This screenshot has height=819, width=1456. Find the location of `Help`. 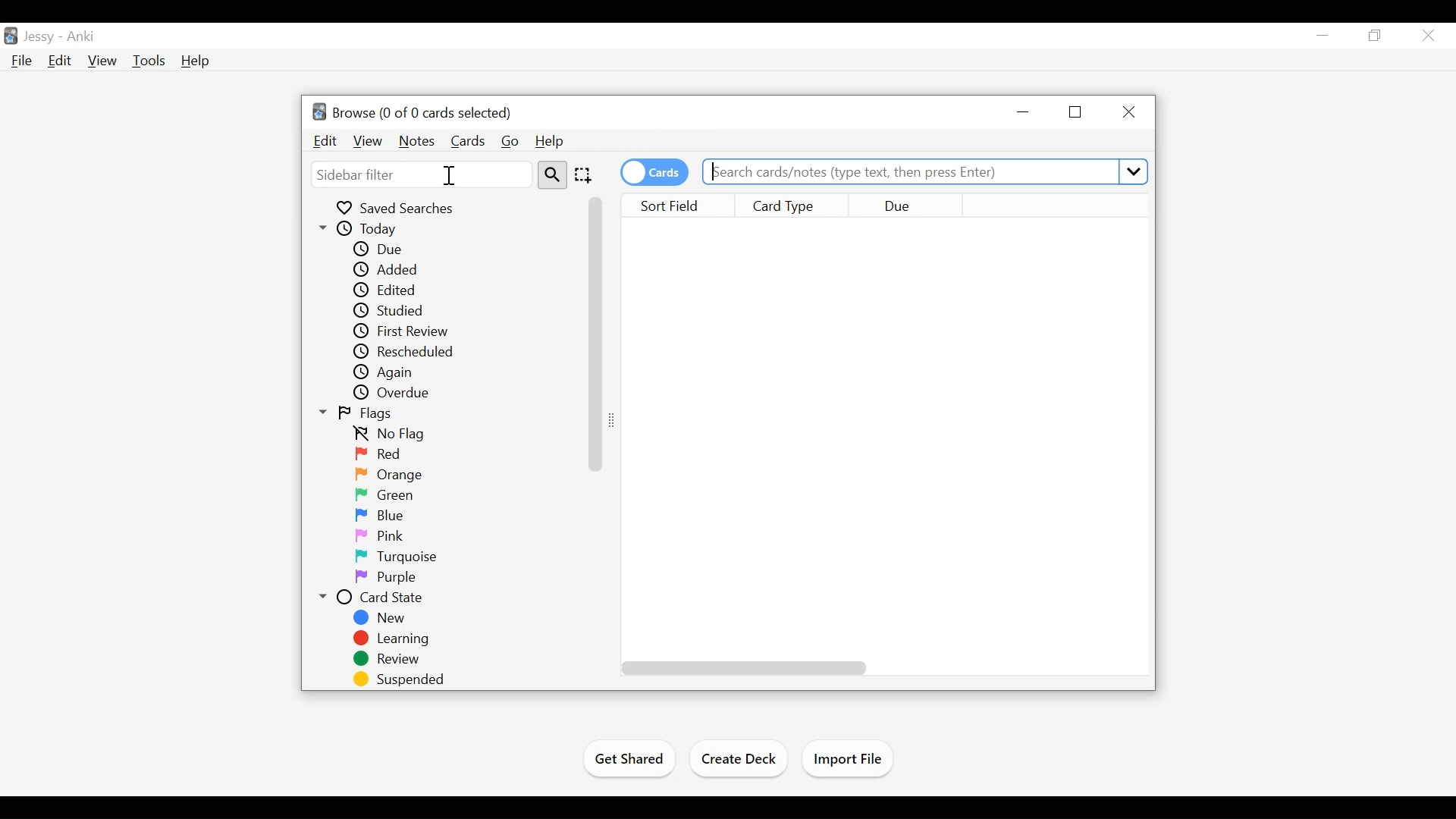

Help is located at coordinates (550, 140).